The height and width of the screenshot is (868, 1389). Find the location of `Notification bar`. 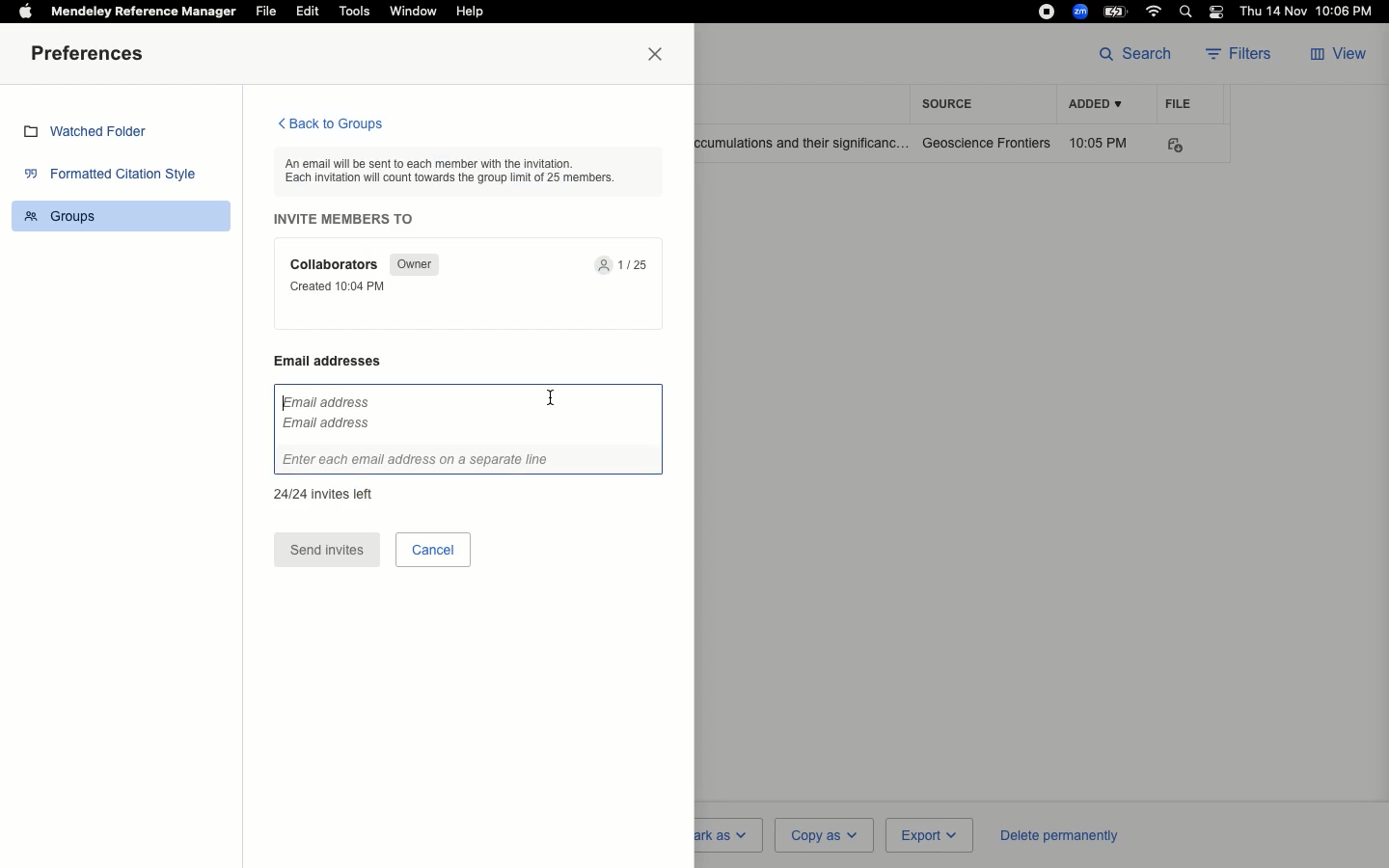

Notification bar is located at coordinates (1217, 14).